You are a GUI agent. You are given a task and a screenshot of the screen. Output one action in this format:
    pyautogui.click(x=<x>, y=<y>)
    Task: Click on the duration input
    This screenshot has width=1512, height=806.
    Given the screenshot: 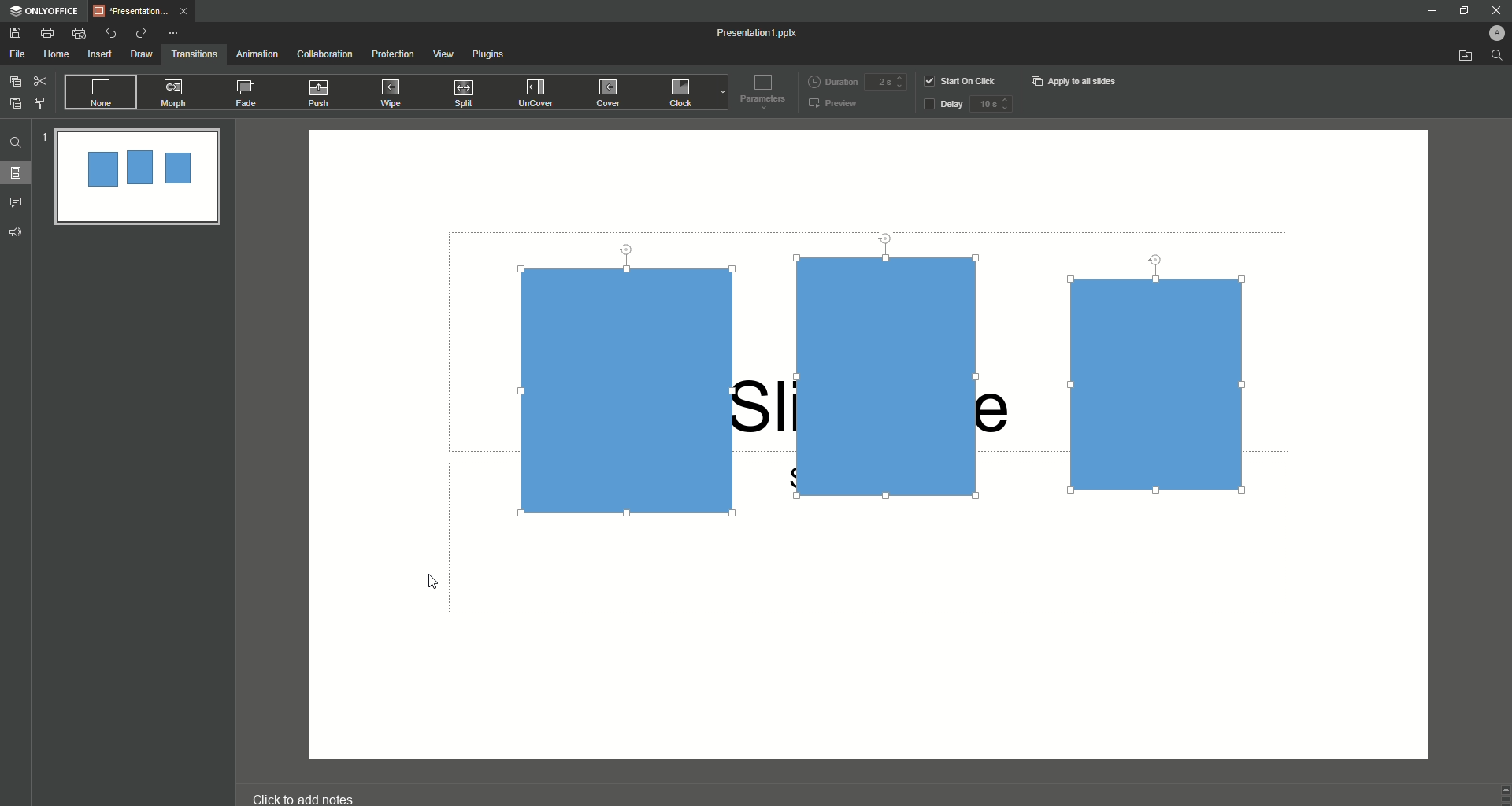 What is the action you would take?
    pyautogui.click(x=885, y=83)
    